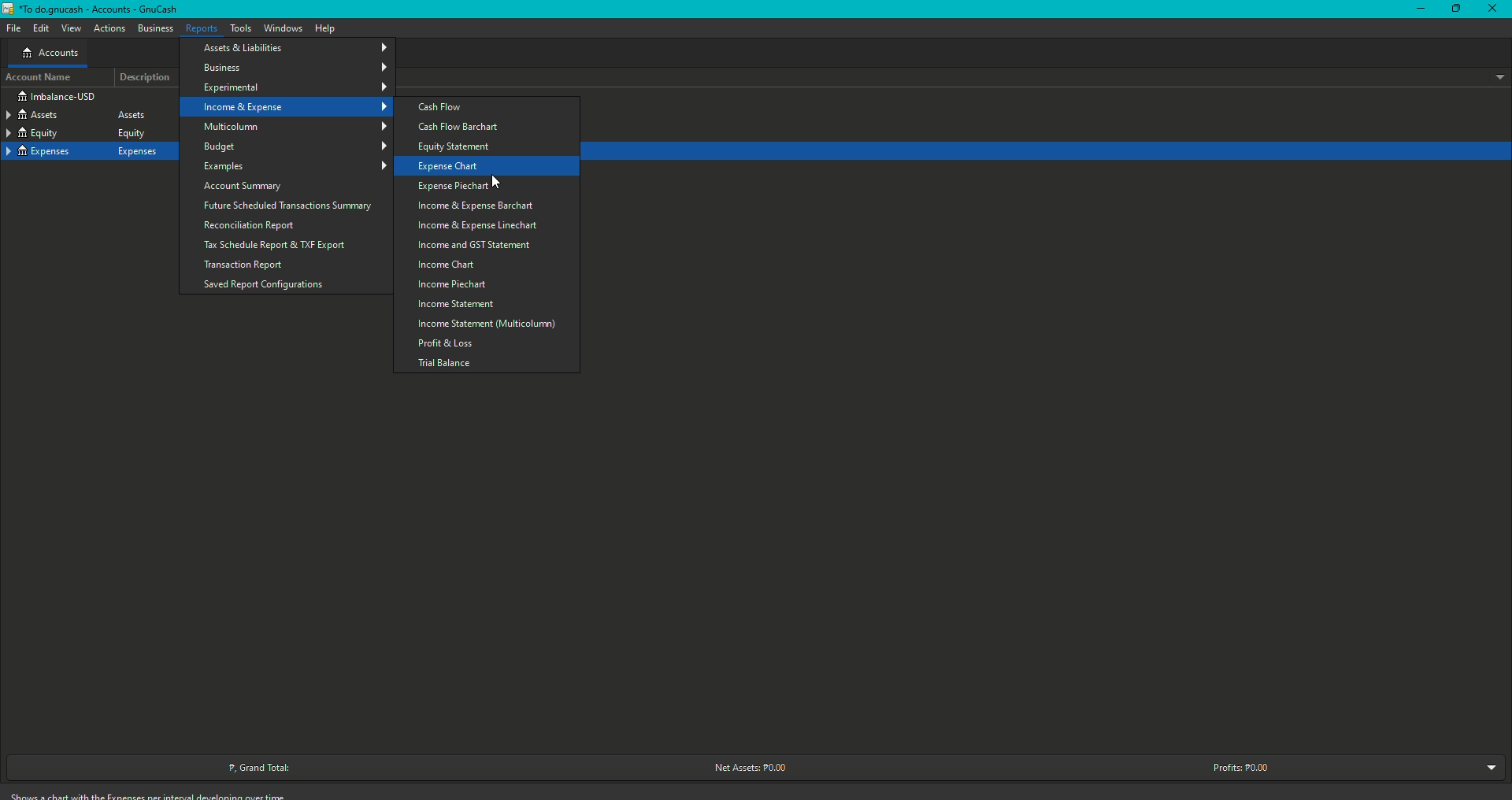  What do you see at coordinates (49, 54) in the screenshot?
I see `` at bounding box center [49, 54].